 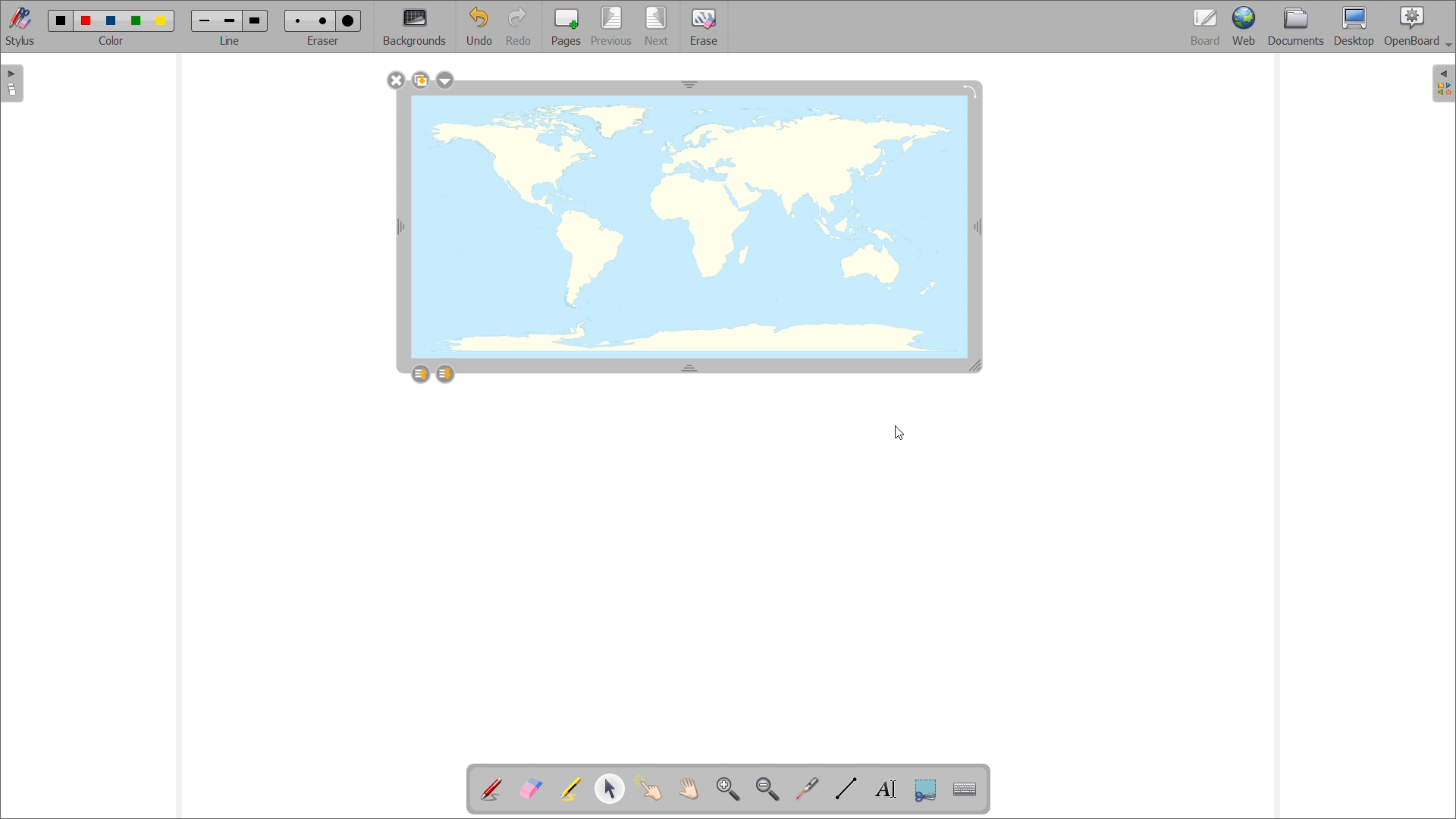 I want to click on erase, so click(x=704, y=27).